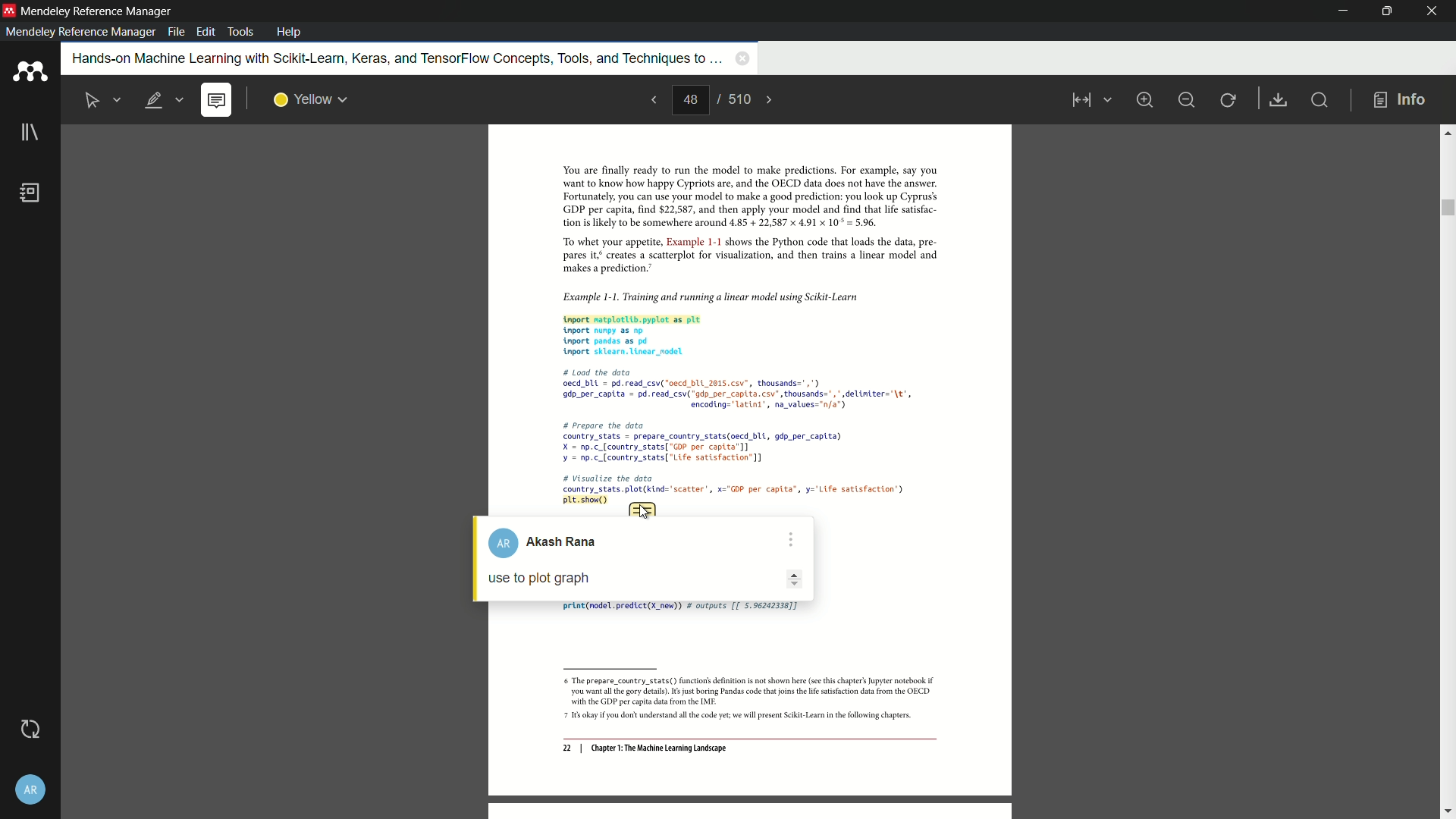 This screenshot has width=1456, height=819. Describe the element at coordinates (311, 100) in the screenshot. I see `highlight color` at that location.